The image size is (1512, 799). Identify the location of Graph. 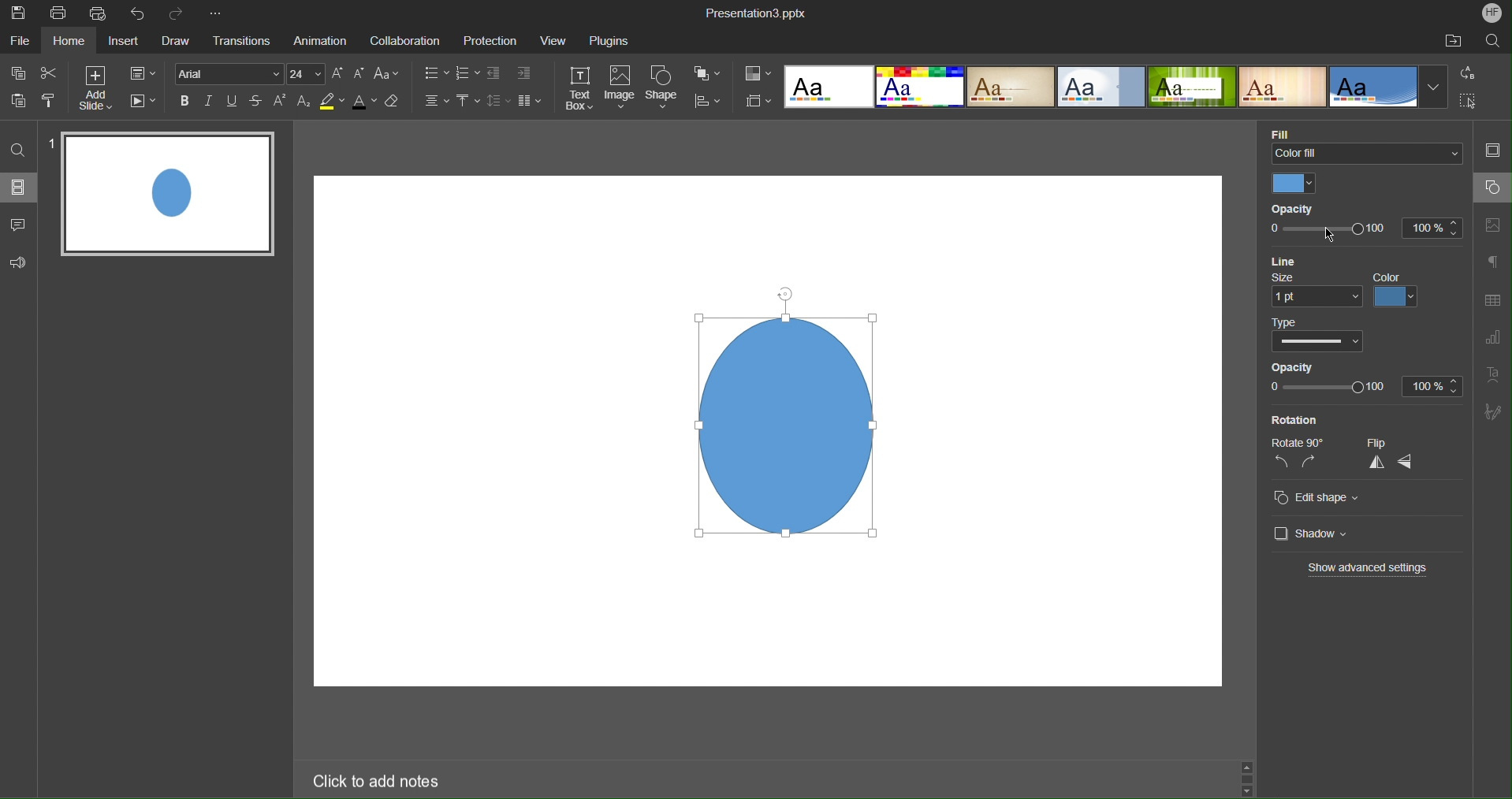
(1492, 337).